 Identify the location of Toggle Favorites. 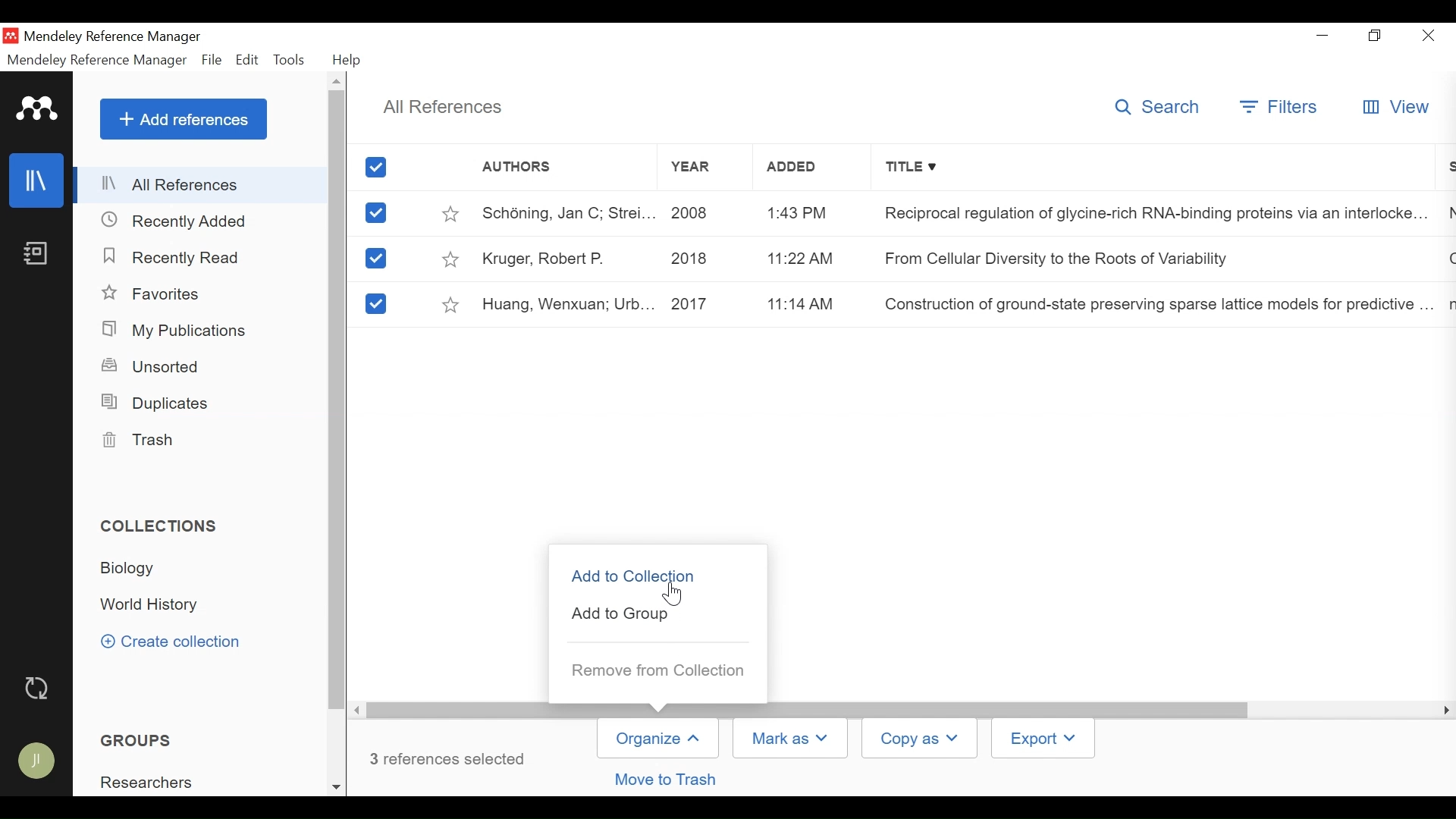
(451, 212).